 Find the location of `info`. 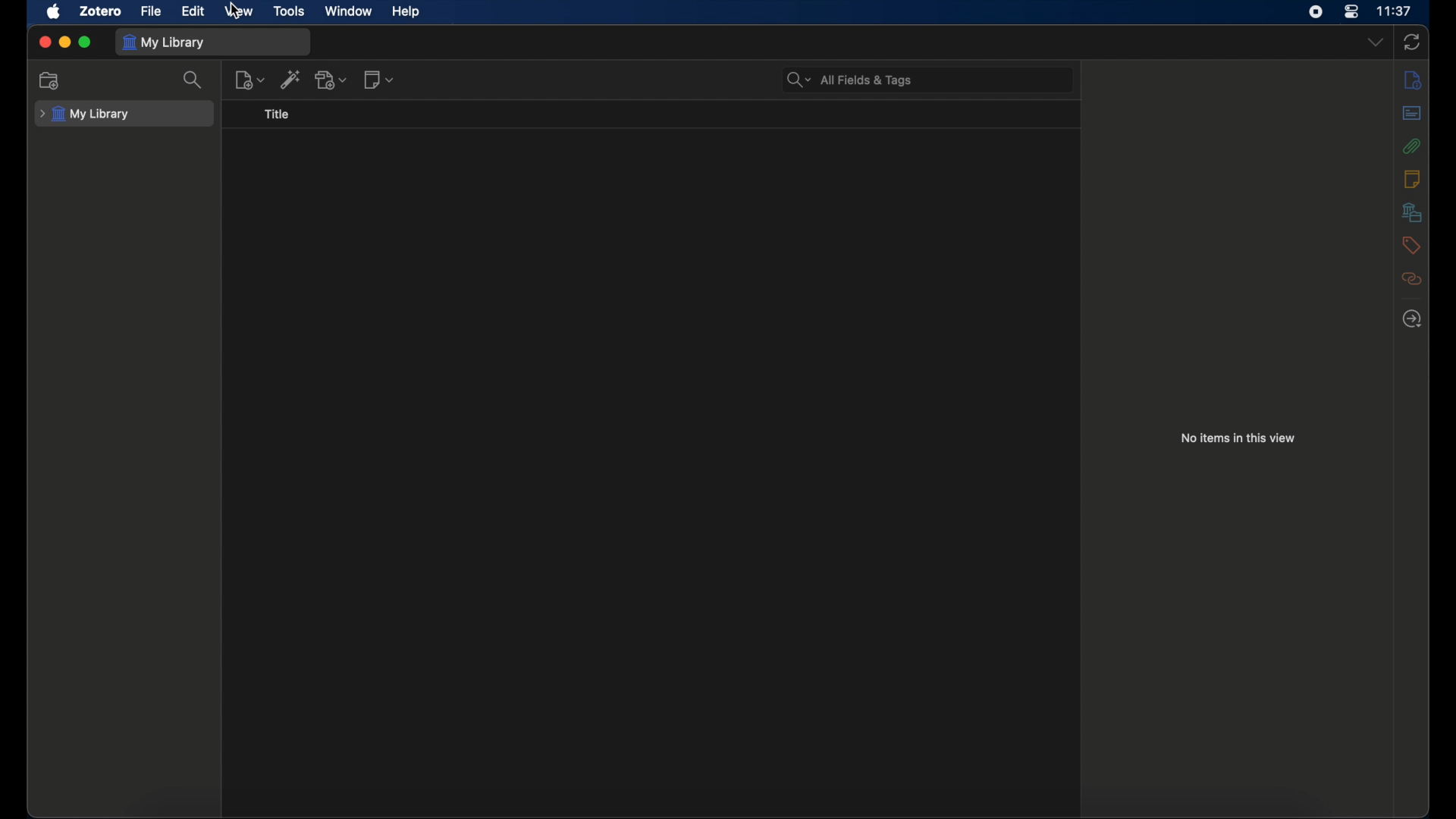

info is located at coordinates (1412, 79).